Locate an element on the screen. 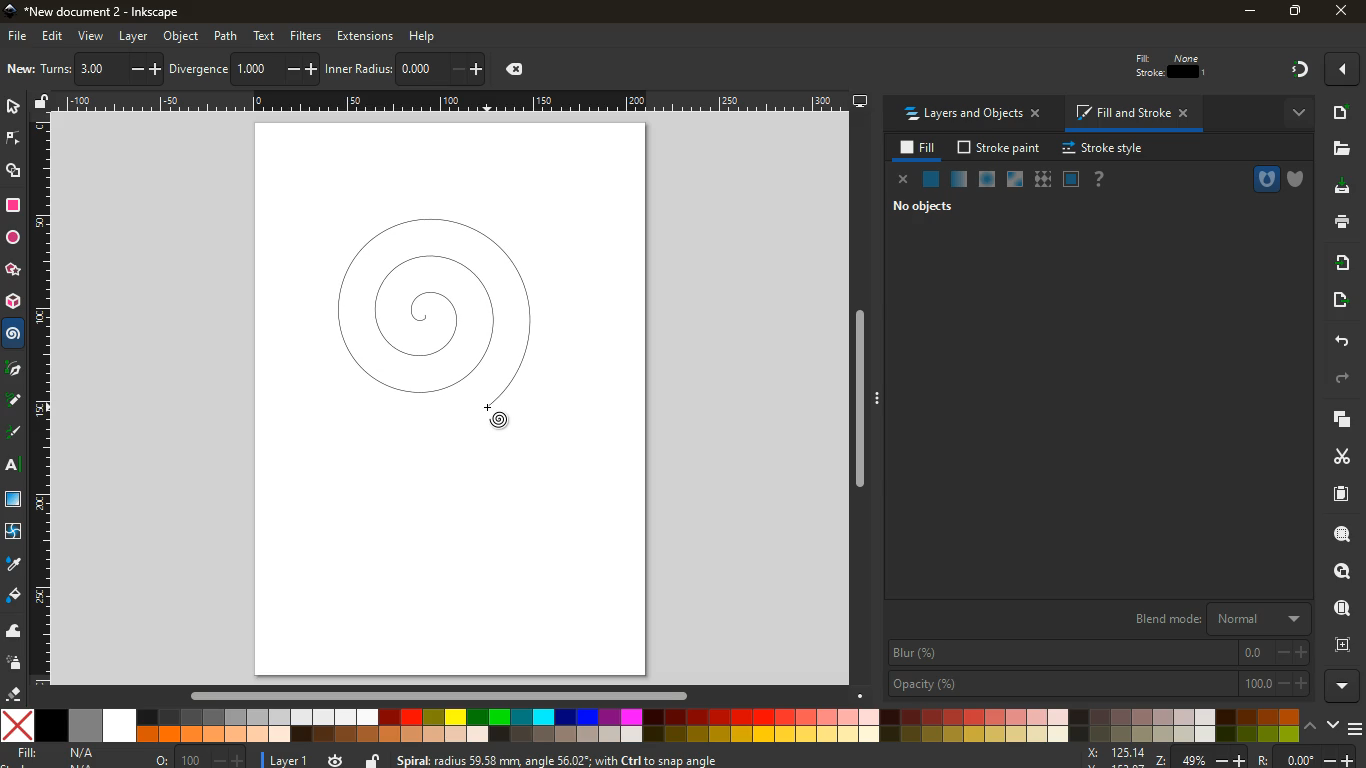 This screenshot has height=768, width=1366. cut is located at coordinates (1333, 457).